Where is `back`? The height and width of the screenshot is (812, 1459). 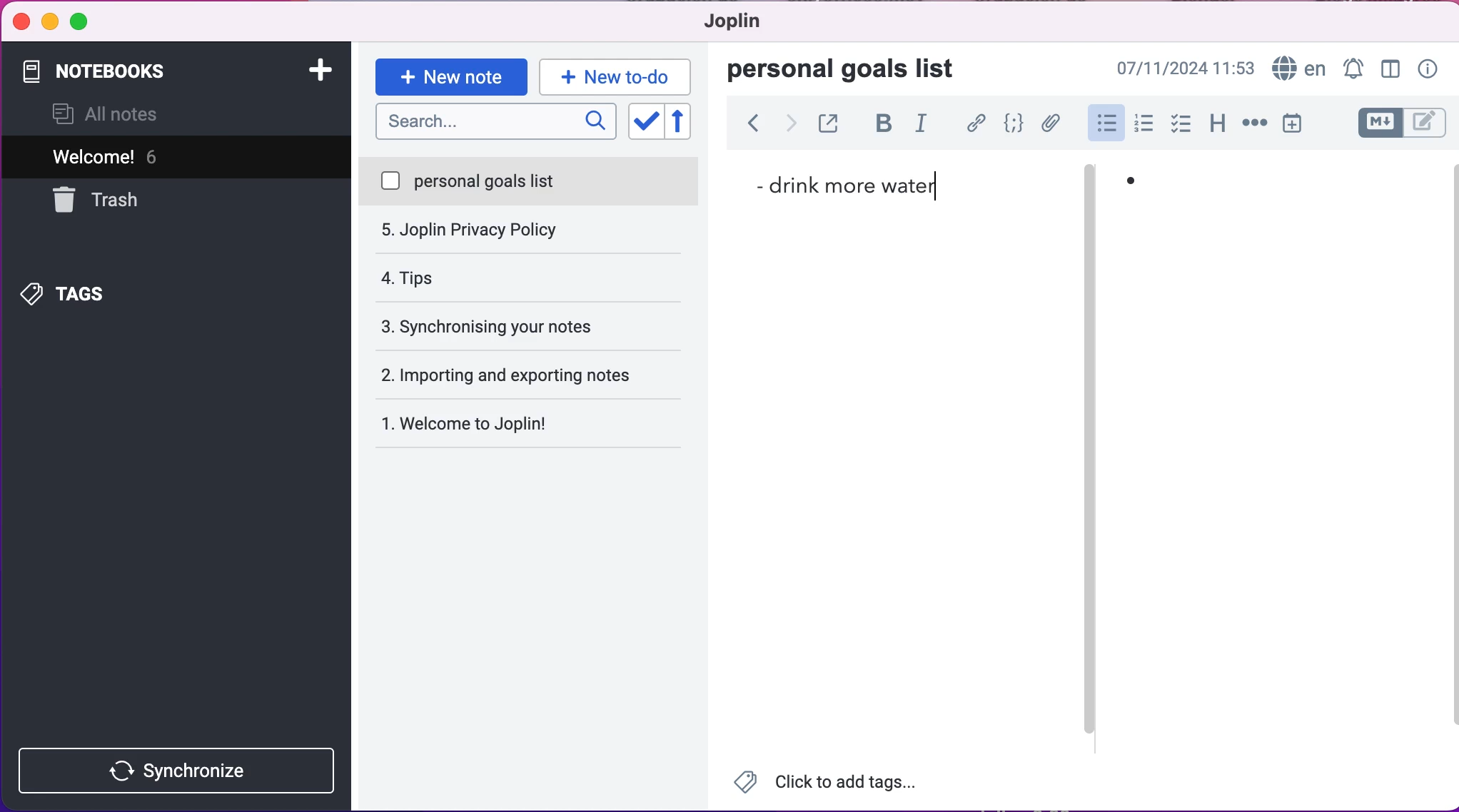 back is located at coordinates (753, 126).